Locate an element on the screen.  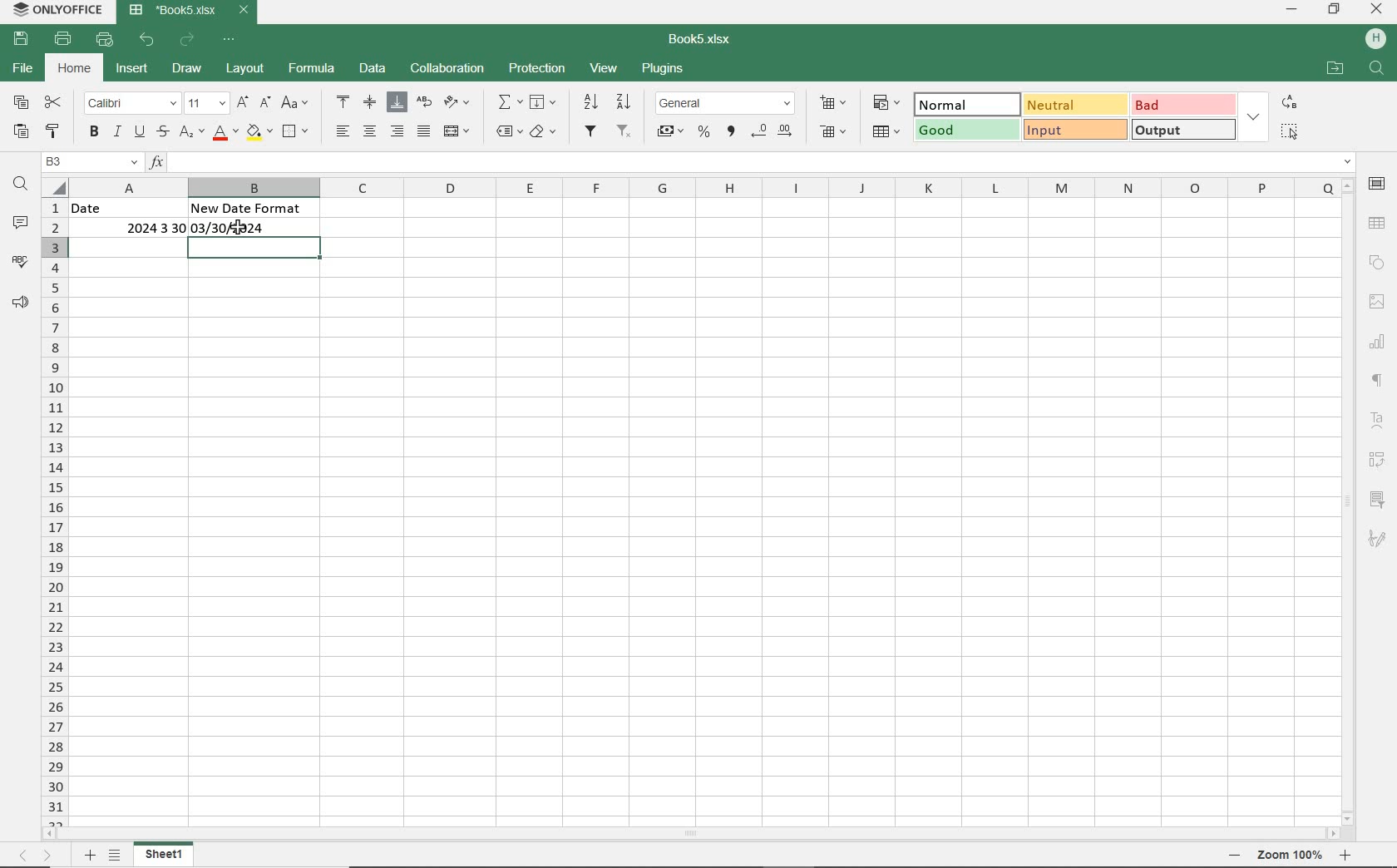
SPELL CHECKING is located at coordinates (21, 262).